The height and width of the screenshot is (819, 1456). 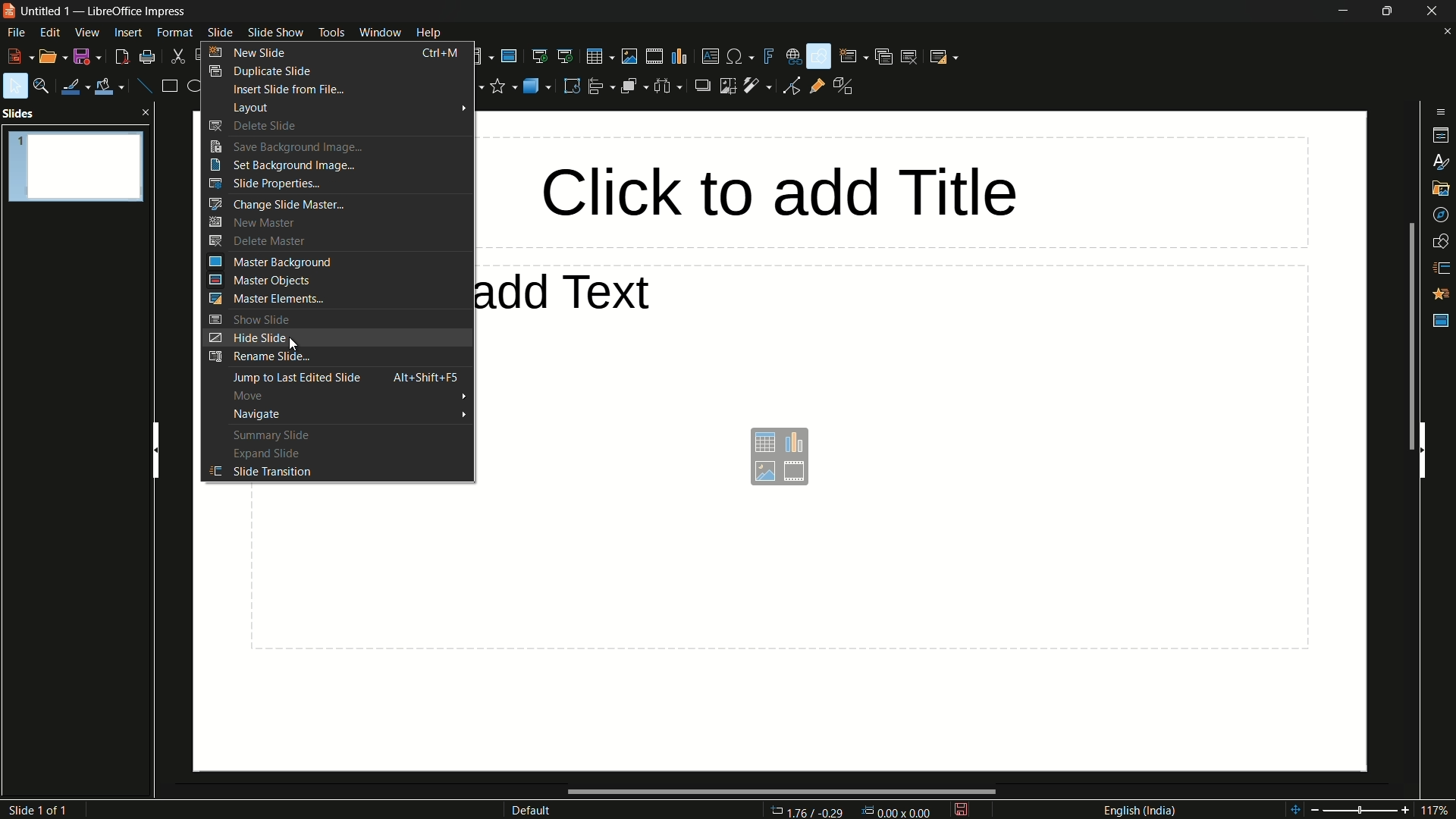 I want to click on select, so click(x=14, y=86).